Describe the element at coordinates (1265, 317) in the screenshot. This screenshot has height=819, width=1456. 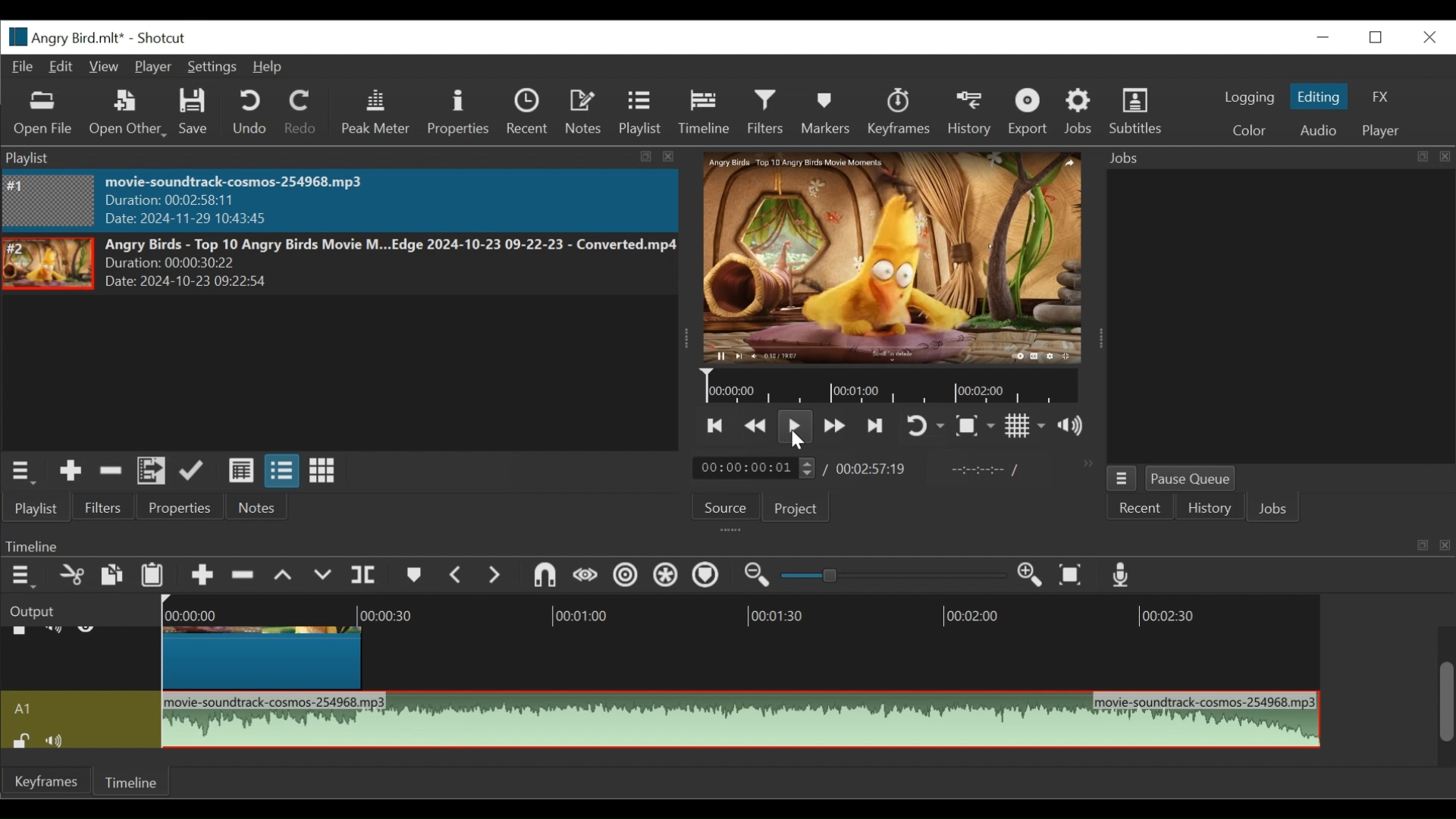
I see `Jobs Panel` at that location.